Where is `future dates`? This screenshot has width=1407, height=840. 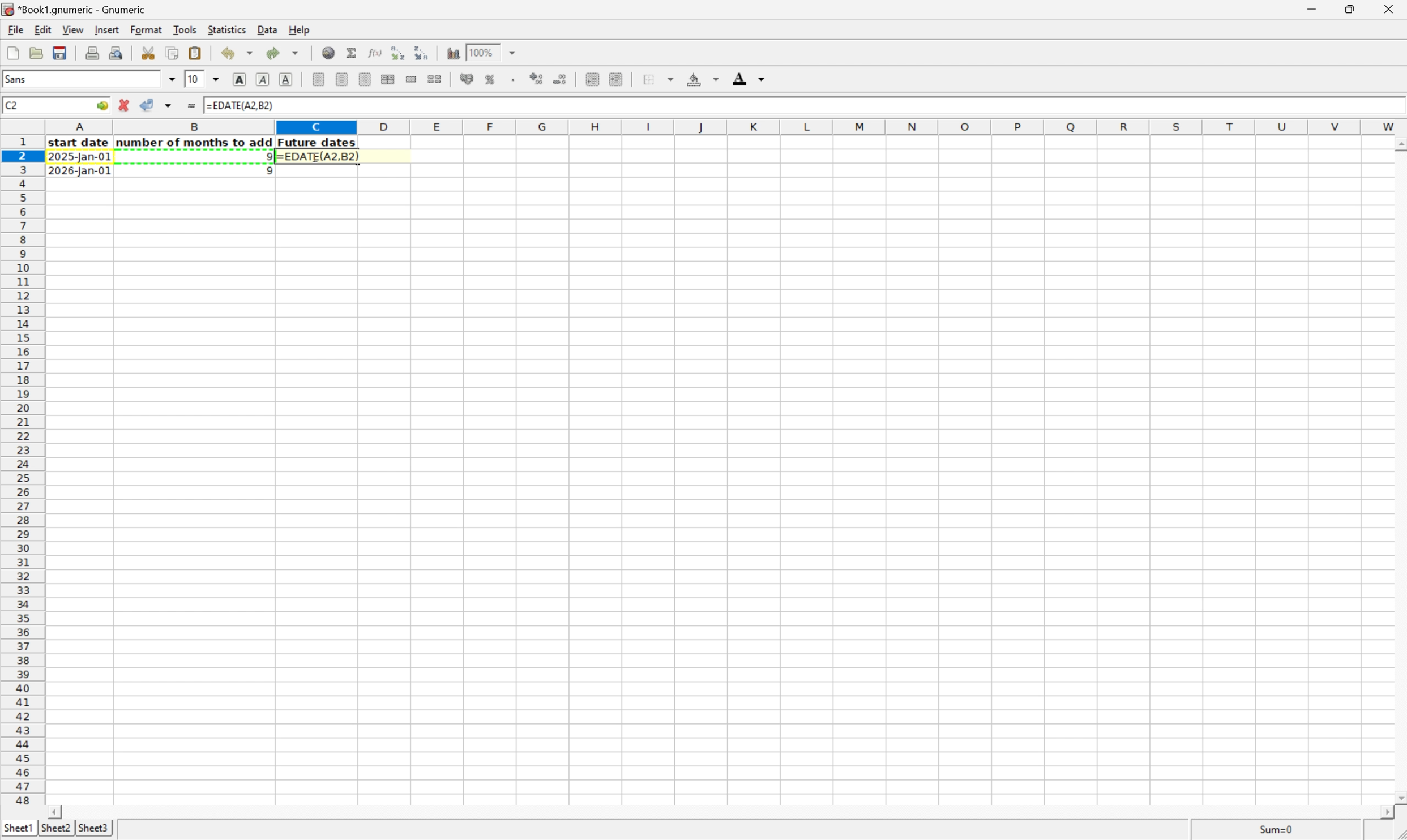
future dates is located at coordinates (318, 143).